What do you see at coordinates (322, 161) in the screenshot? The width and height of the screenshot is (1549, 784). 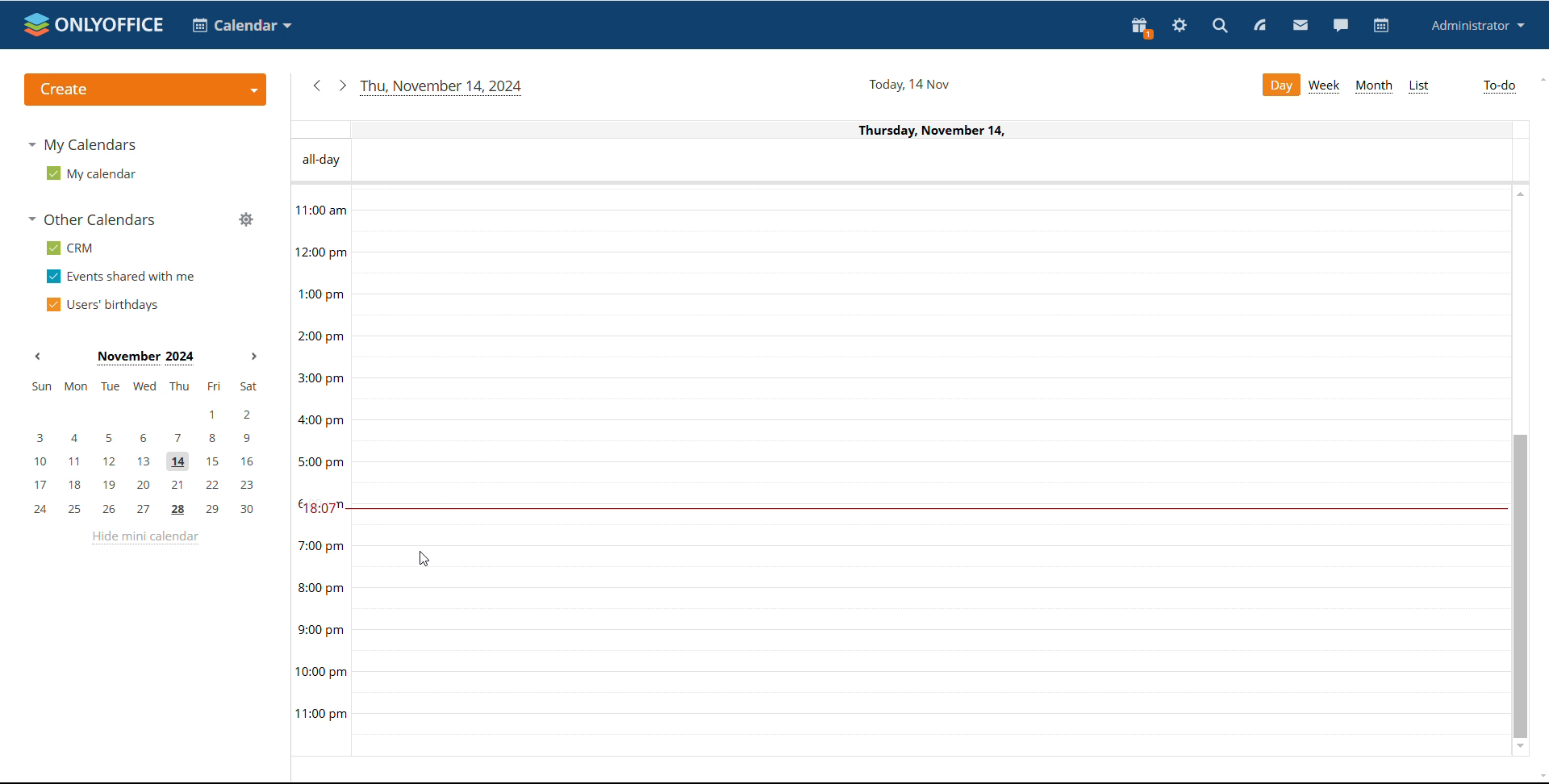 I see `All - day` at bounding box center [322, 161].